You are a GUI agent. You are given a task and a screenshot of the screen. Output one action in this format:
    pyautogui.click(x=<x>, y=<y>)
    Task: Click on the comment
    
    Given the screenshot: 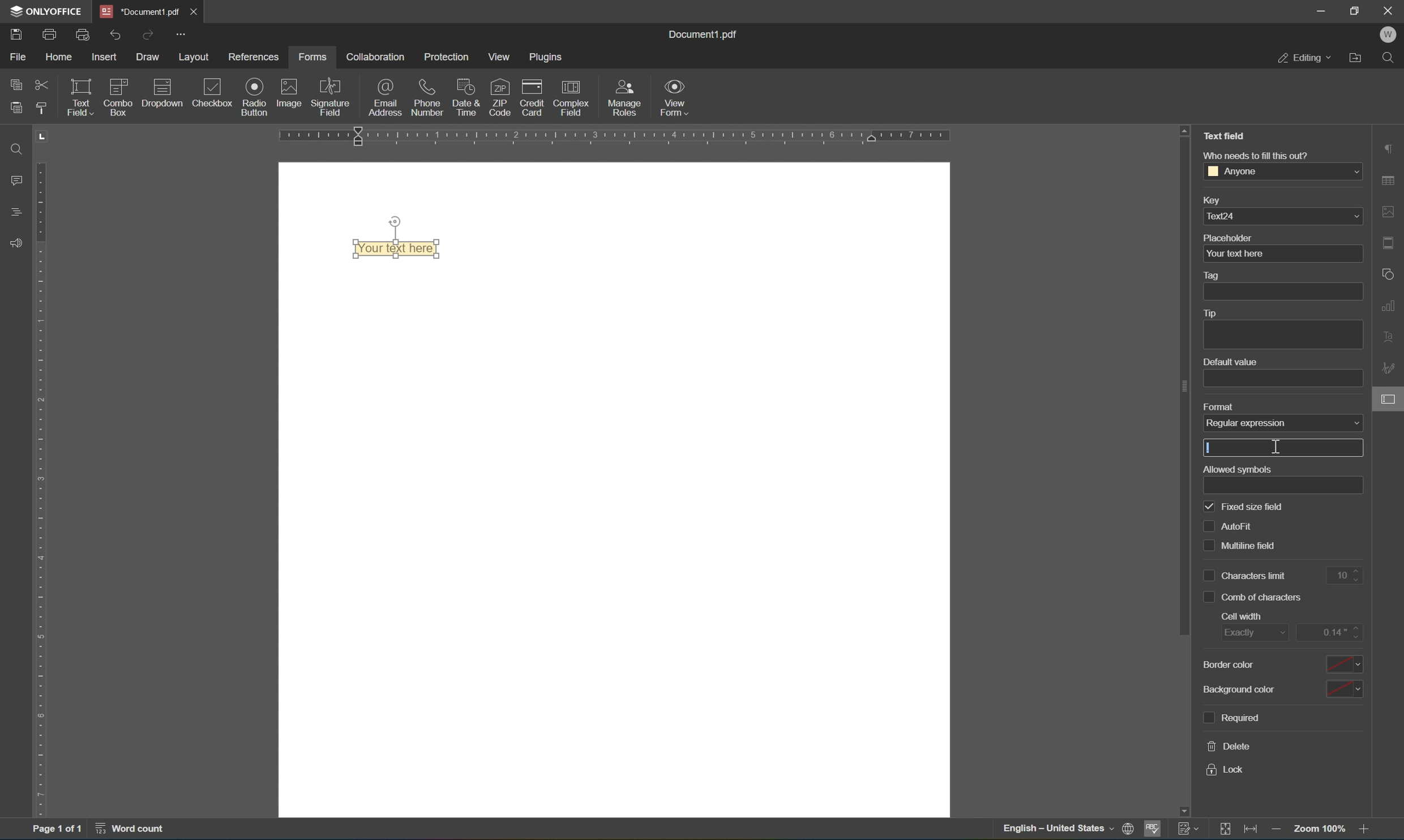 What is the action you would take?
    pyautogui.click(x=14, y=180)
    